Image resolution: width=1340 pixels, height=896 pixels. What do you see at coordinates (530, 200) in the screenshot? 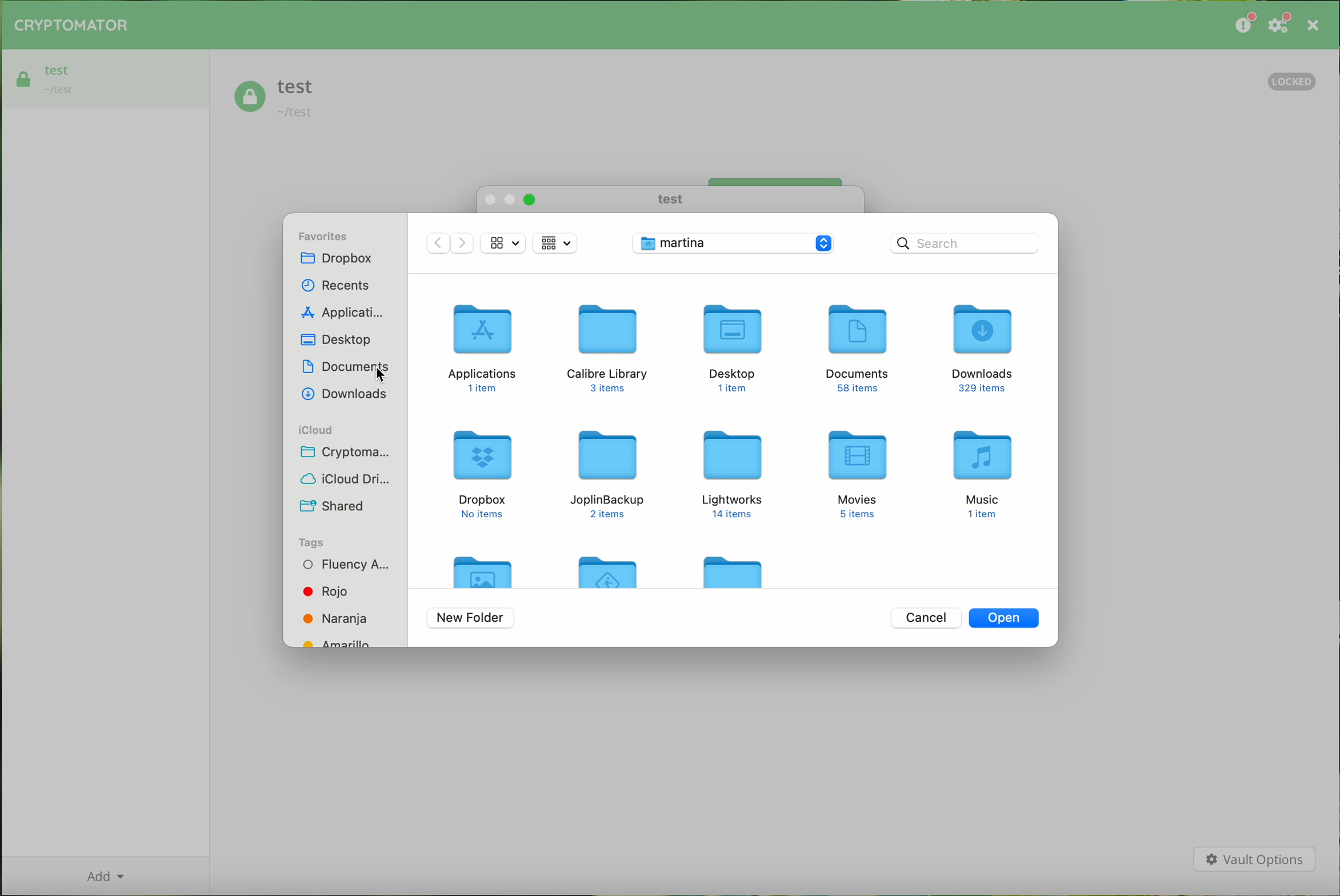
I see `maximize` at bounding box center [530, 200].